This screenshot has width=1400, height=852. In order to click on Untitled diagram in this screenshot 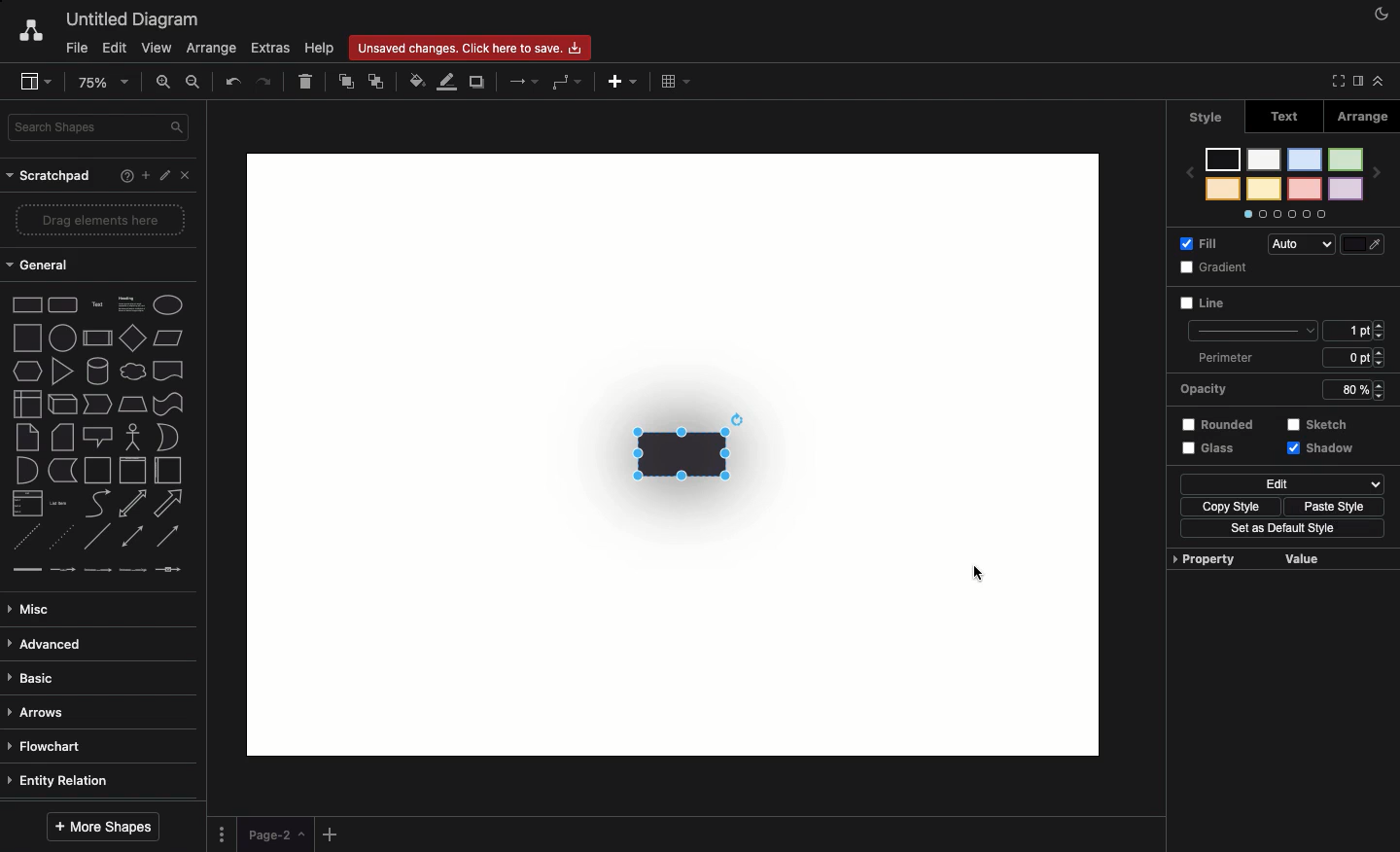, I will do `click(131, 20)`.